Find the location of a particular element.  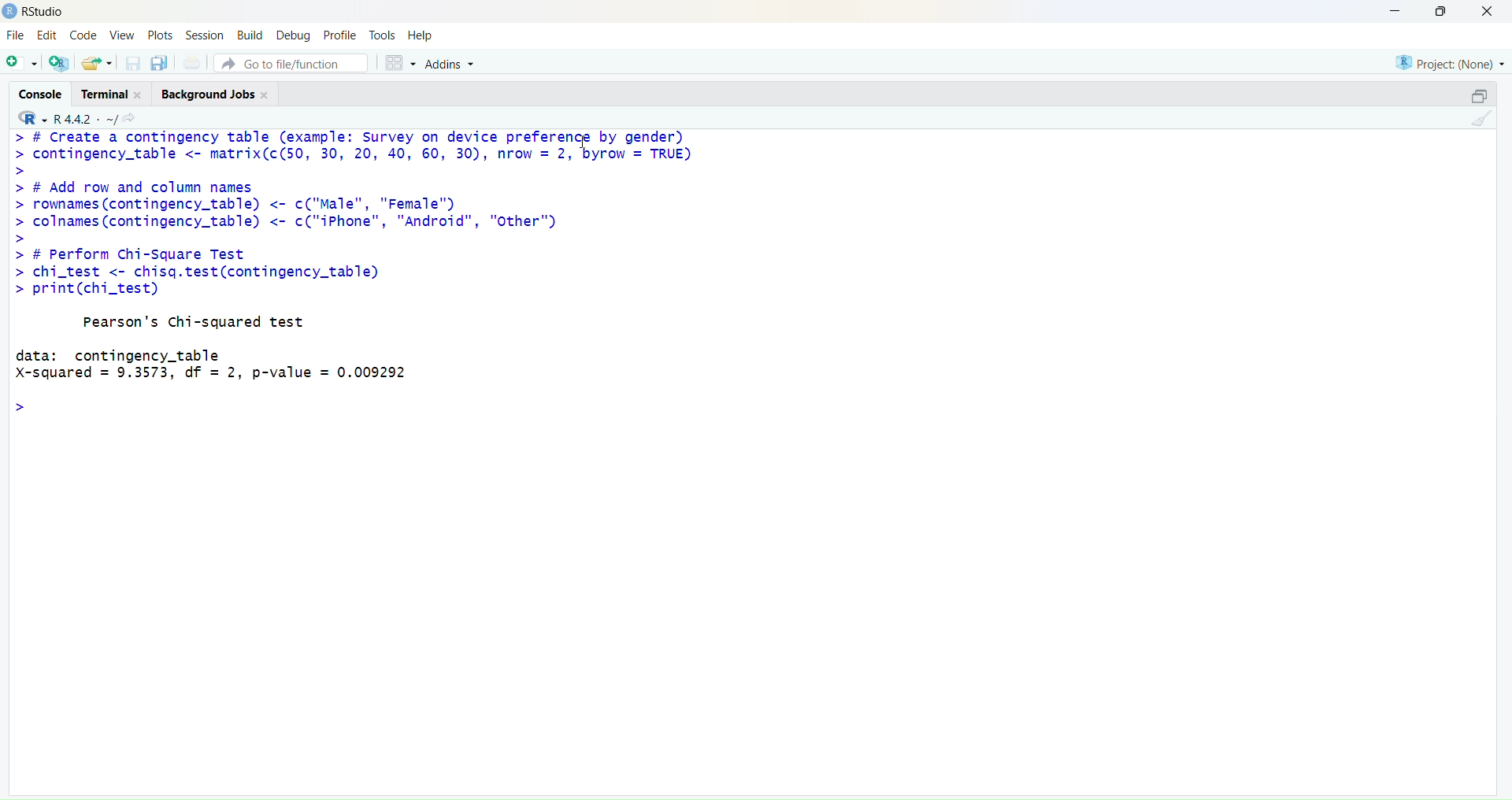

project (none) is located at coordinates (1450, 64).